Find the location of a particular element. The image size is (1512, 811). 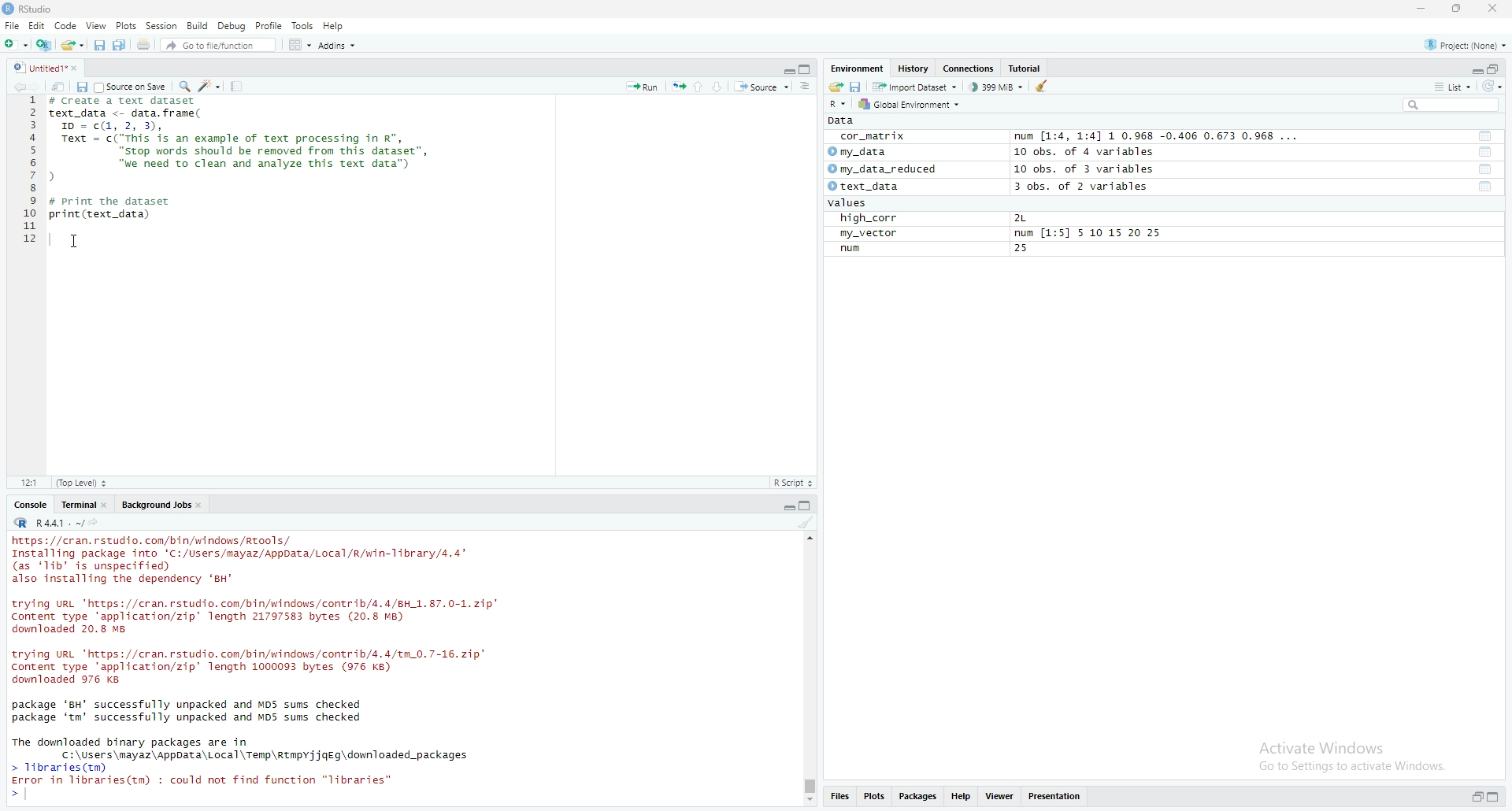

save all open documents is located at coordinates (124, 46).